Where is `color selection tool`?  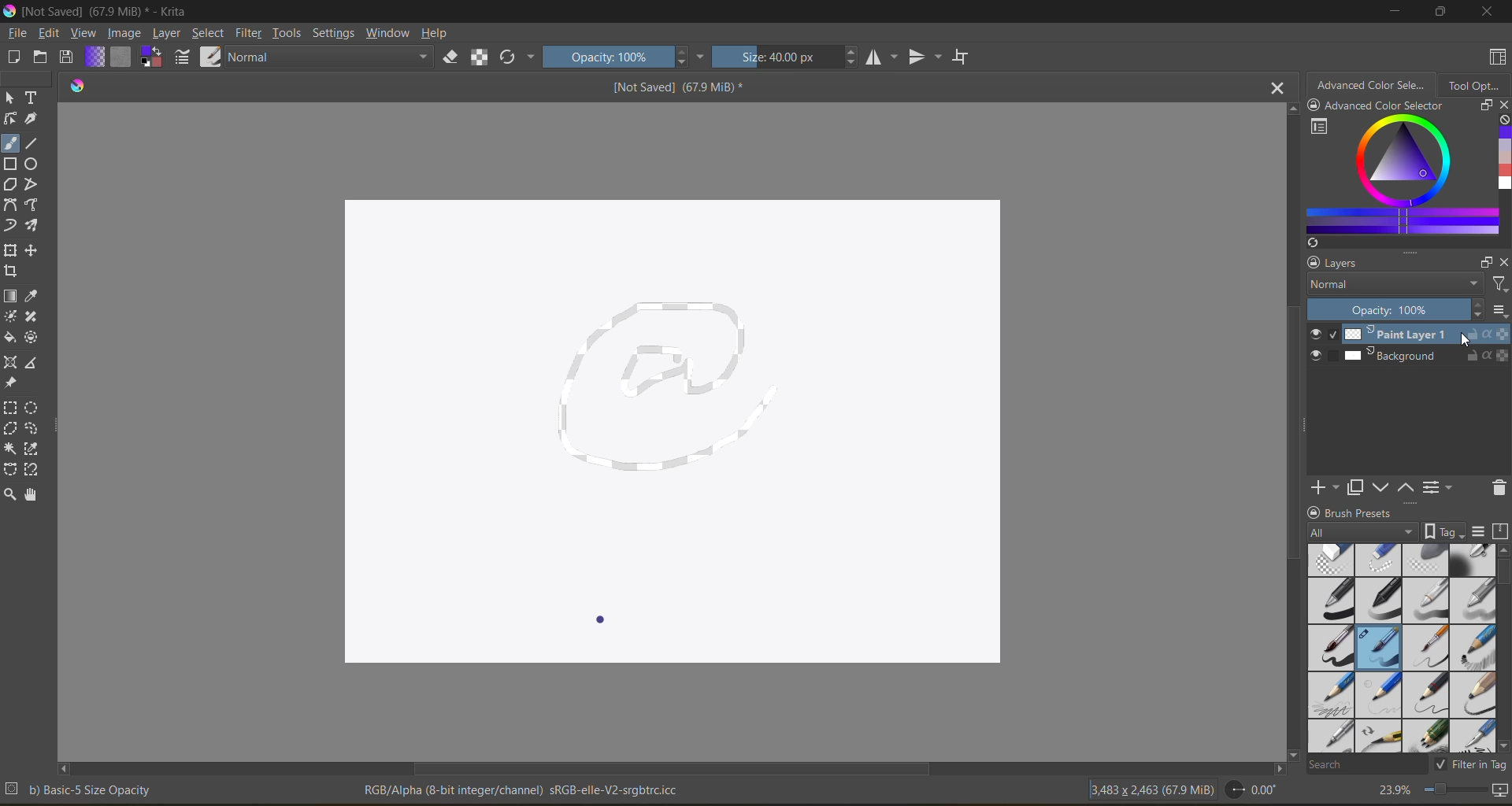 color selection tool is located at coordinates (32, 449).